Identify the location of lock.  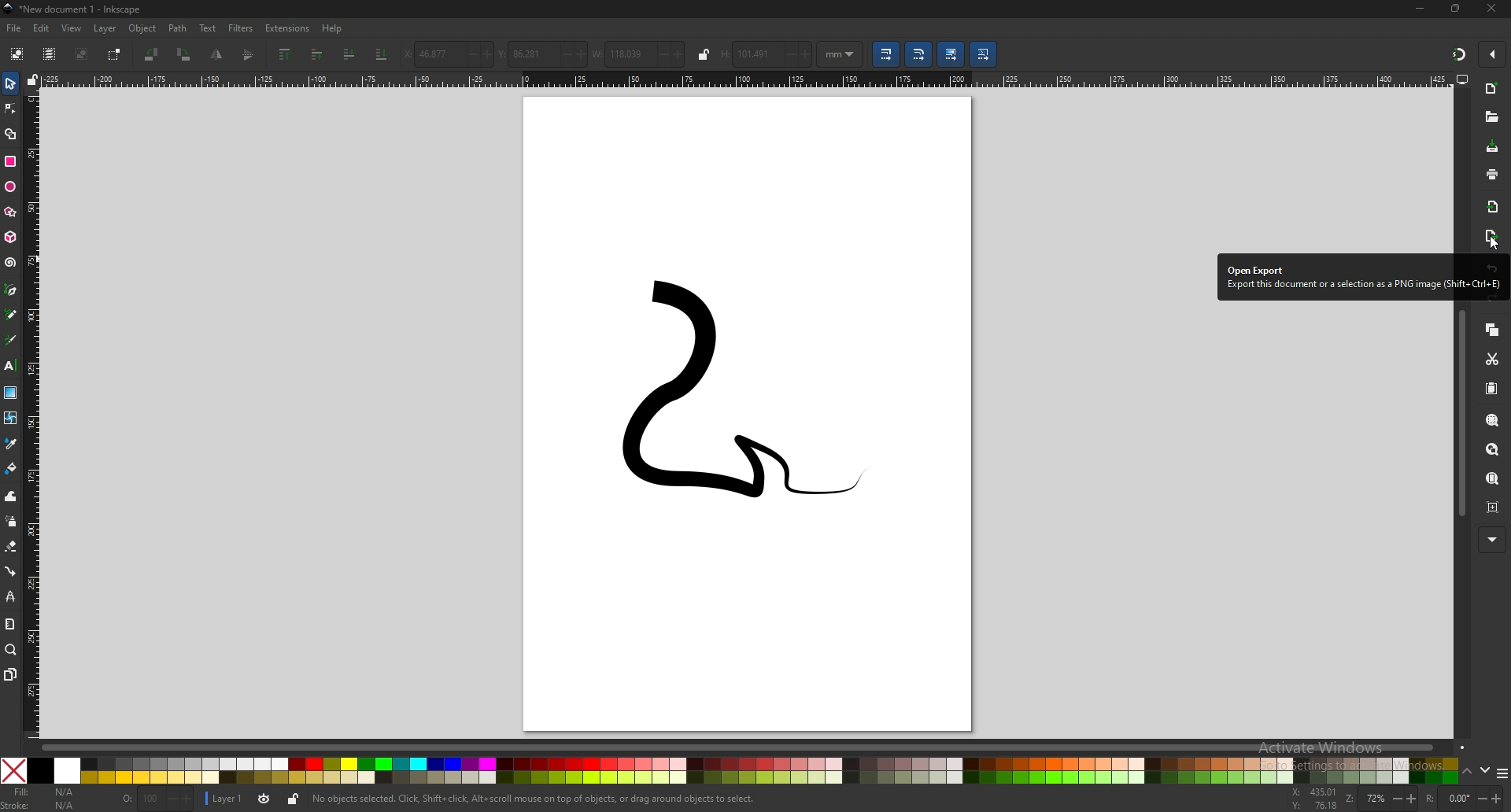
(704, 54).